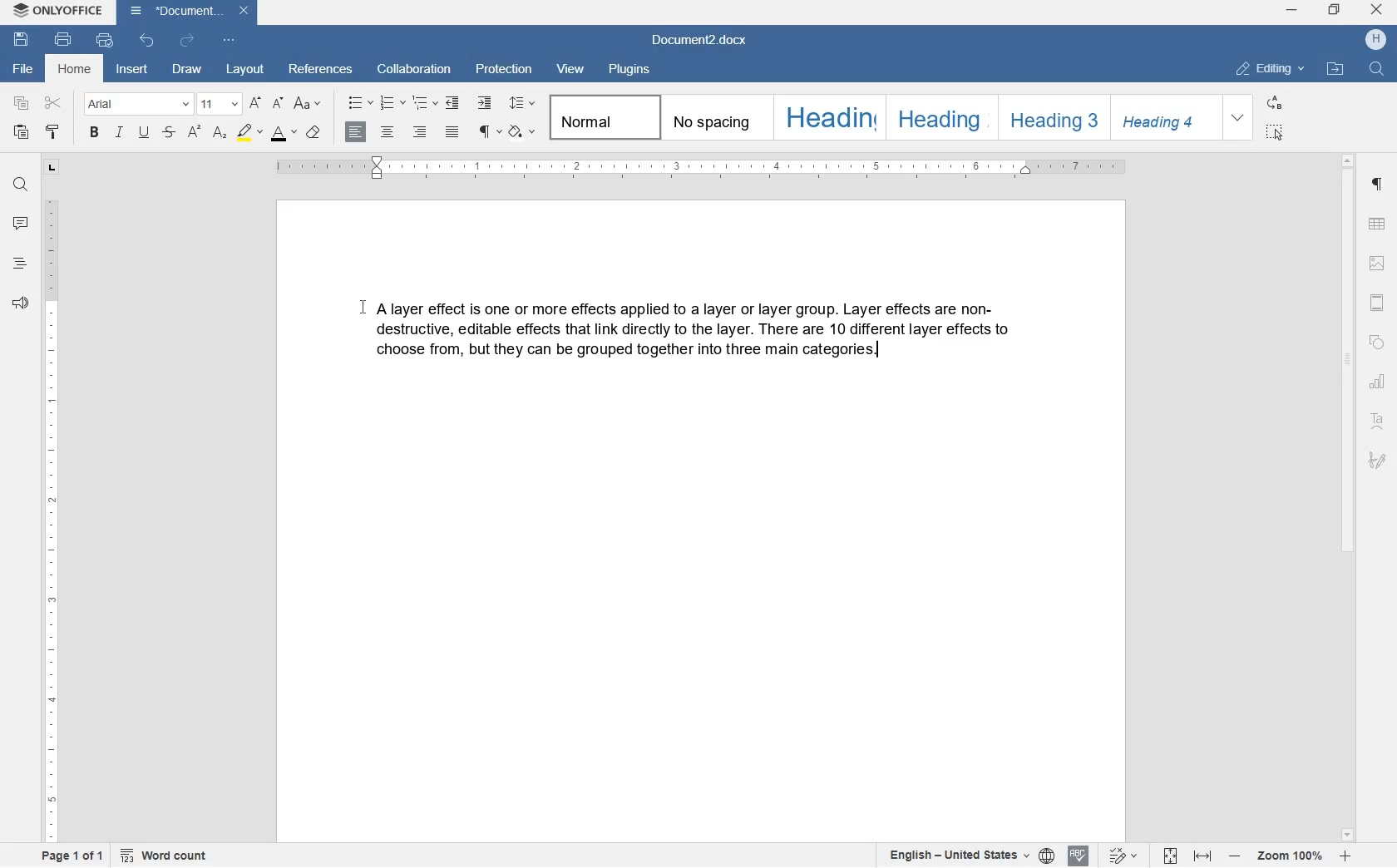 The width and height of the screenshot is (1397, 868). What do you see at coordinates (136, 105) in the screenshot?
I see `font name` at bounding box center [136, 105].